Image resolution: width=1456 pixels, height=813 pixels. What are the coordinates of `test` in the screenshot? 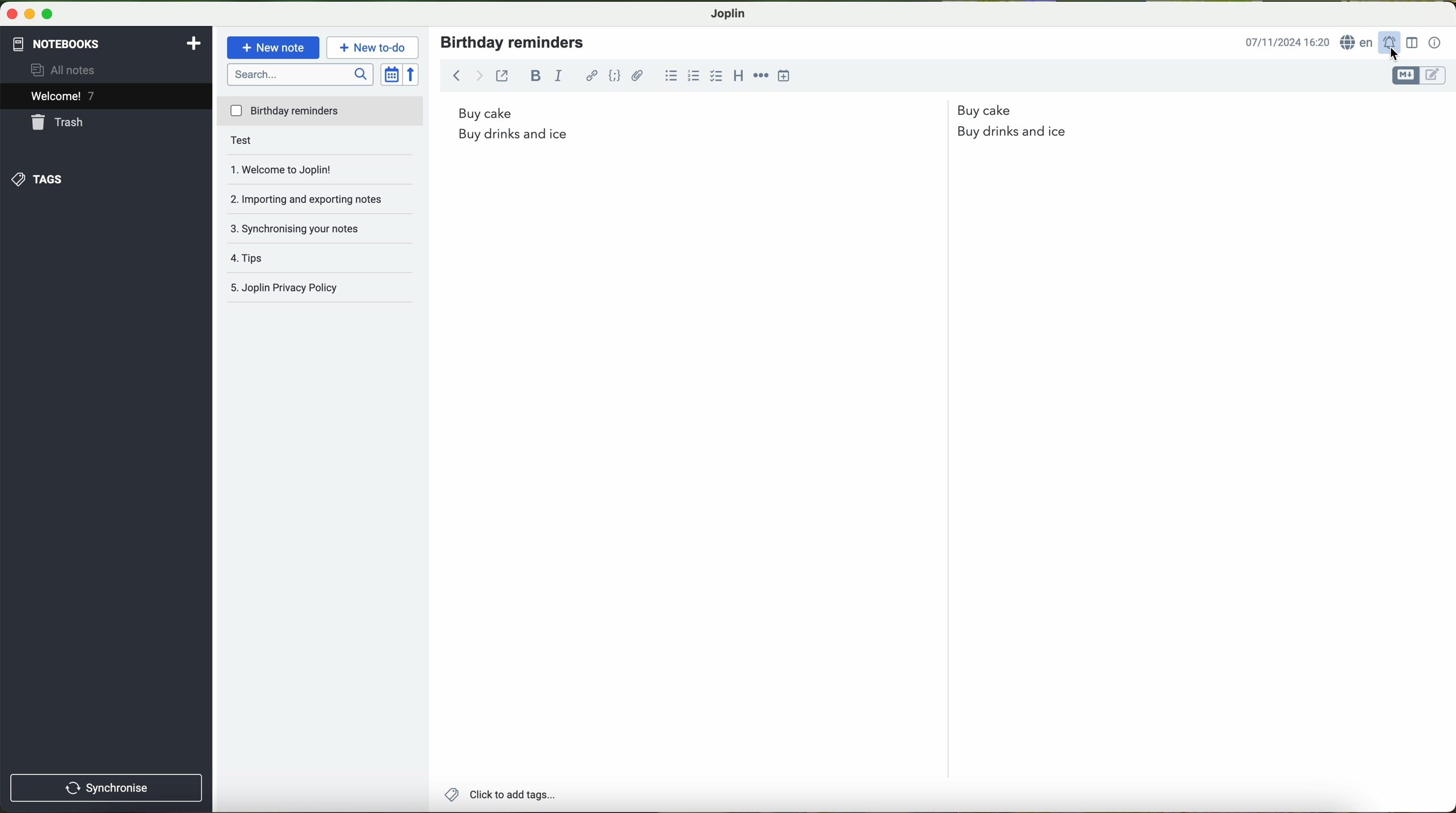 It's located at (261, 142).